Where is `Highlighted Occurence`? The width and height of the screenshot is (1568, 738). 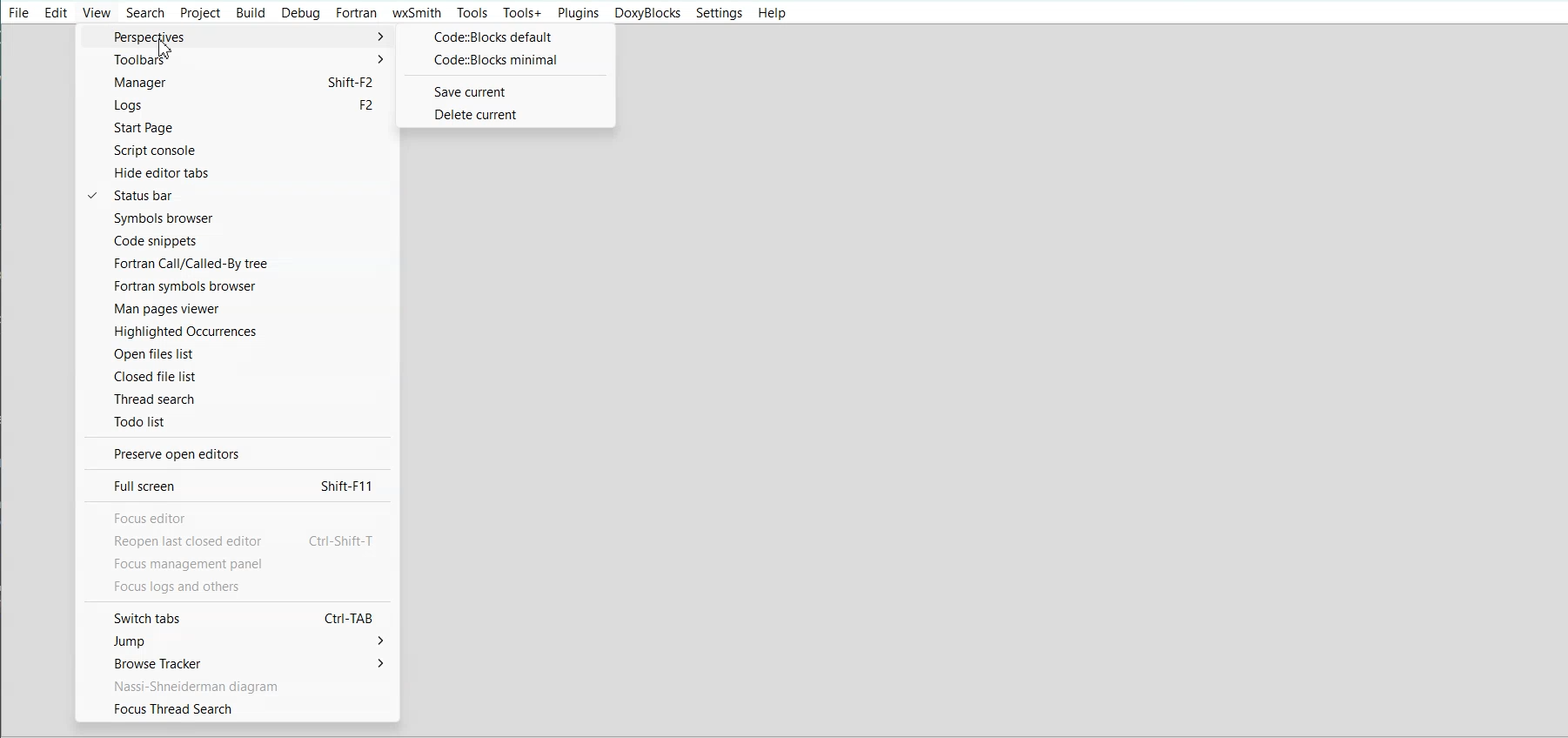
Highlighted Occurence is located at coordinates (236, 331).